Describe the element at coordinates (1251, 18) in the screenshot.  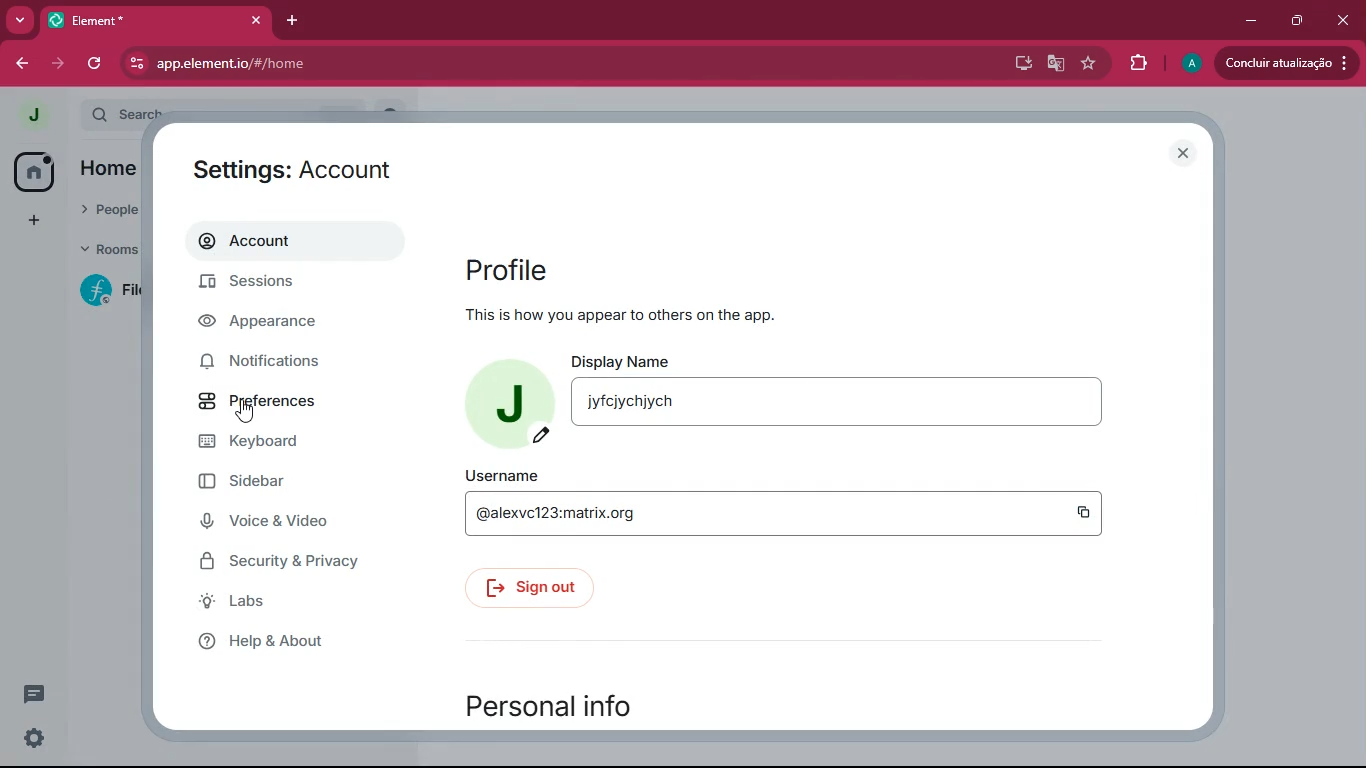
I see `minimize` at that location.